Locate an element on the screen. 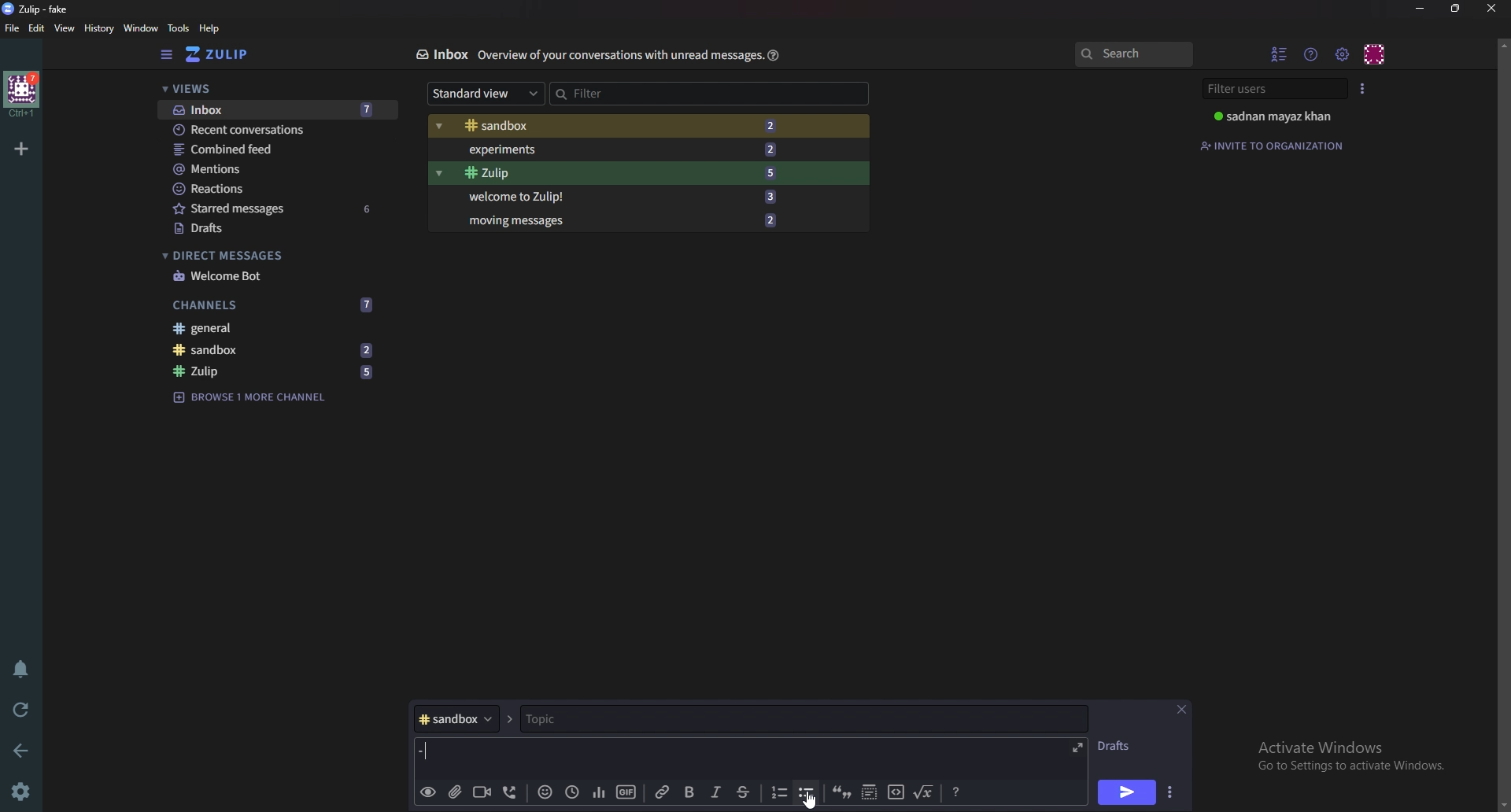 Image resolution: width=1511 pixels, height=812 pixels. link is located at coordinates (665, 792).